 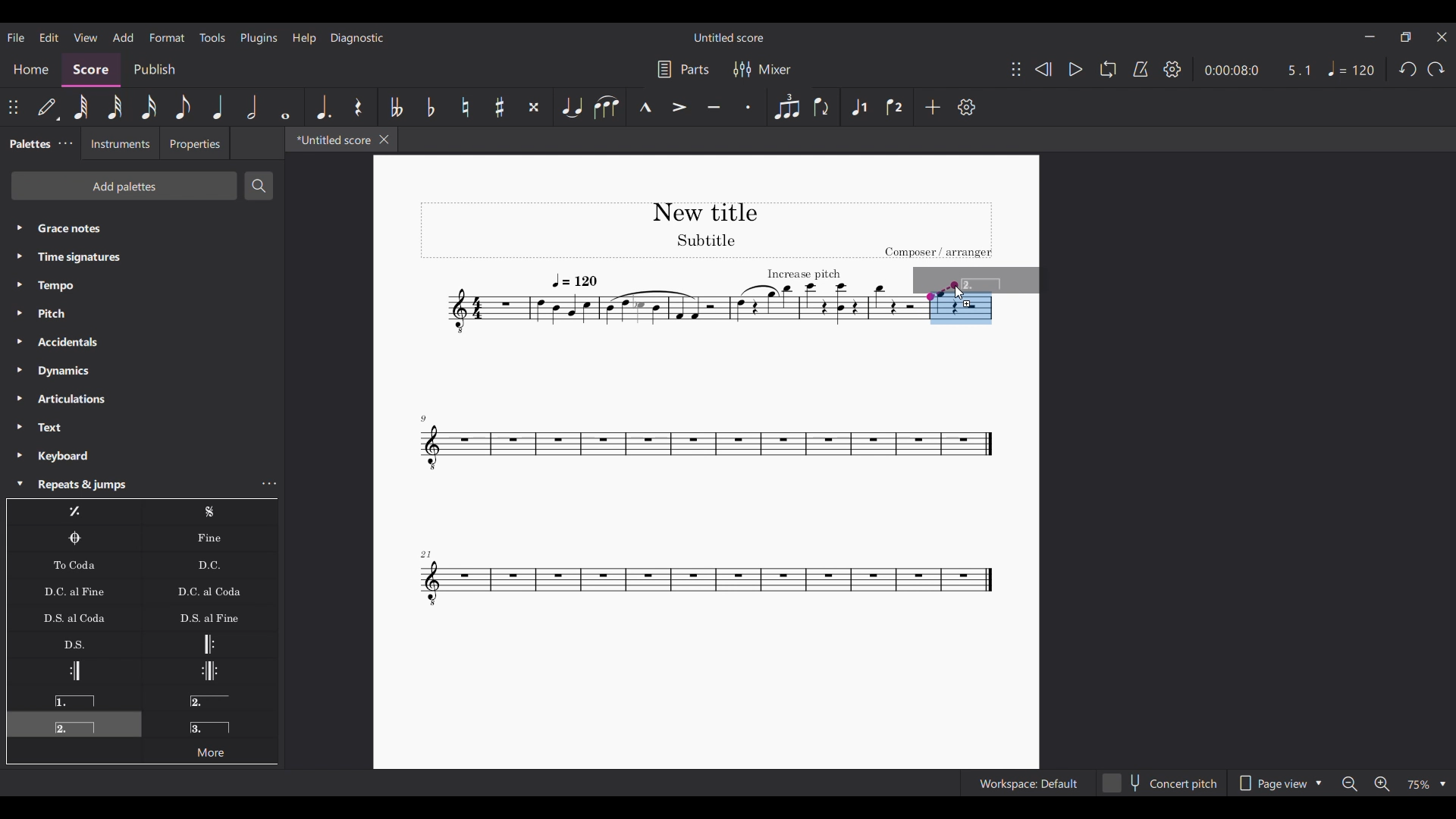 I want to click on Close , so click(x=384, y=140).